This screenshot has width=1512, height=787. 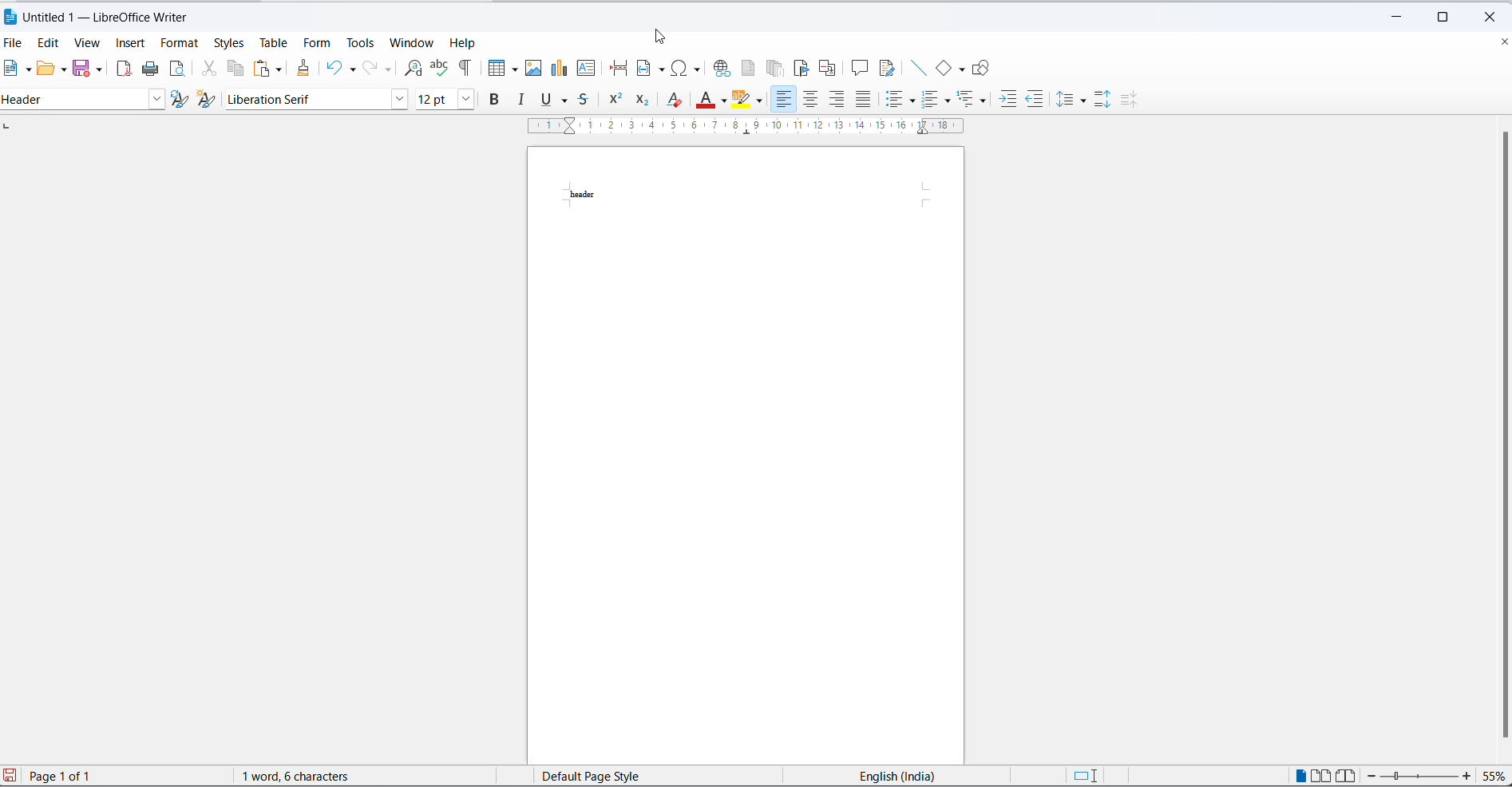 I want to click on spelling, so click(x=441, y=68).